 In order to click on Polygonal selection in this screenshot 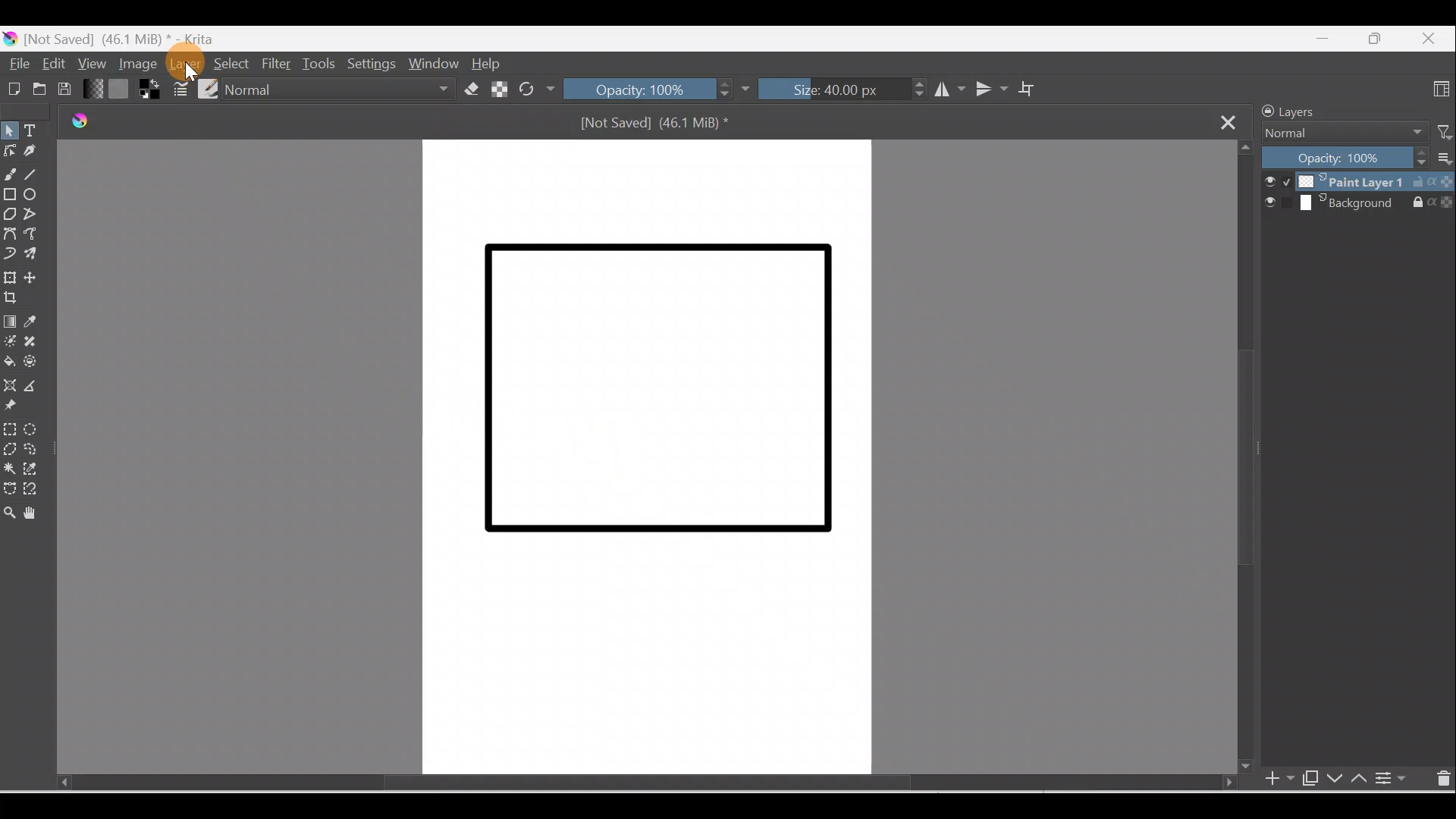, I will do `click(9, 447)`.